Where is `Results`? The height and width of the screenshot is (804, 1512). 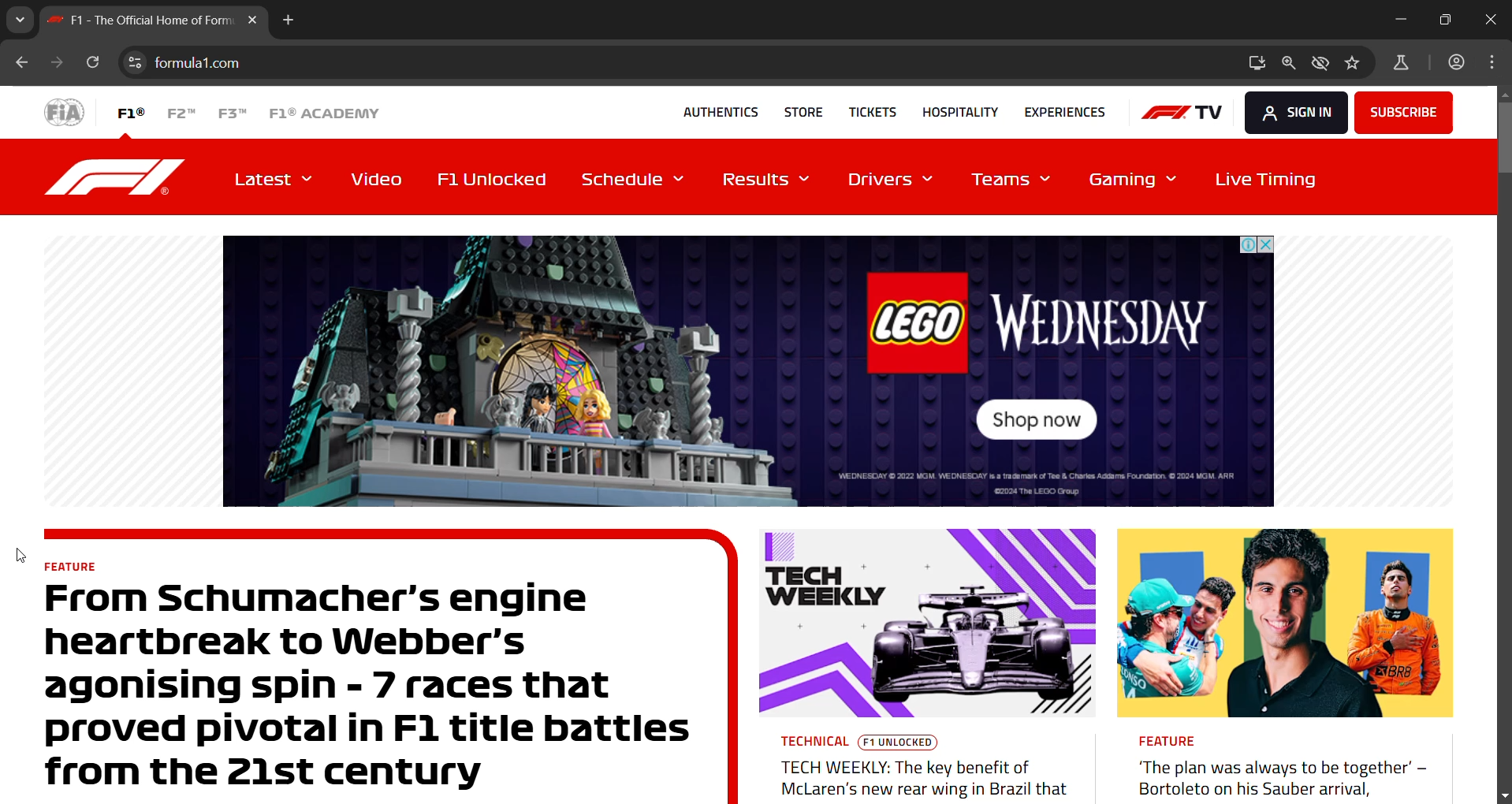
Results is located at coordinates (769, 181).